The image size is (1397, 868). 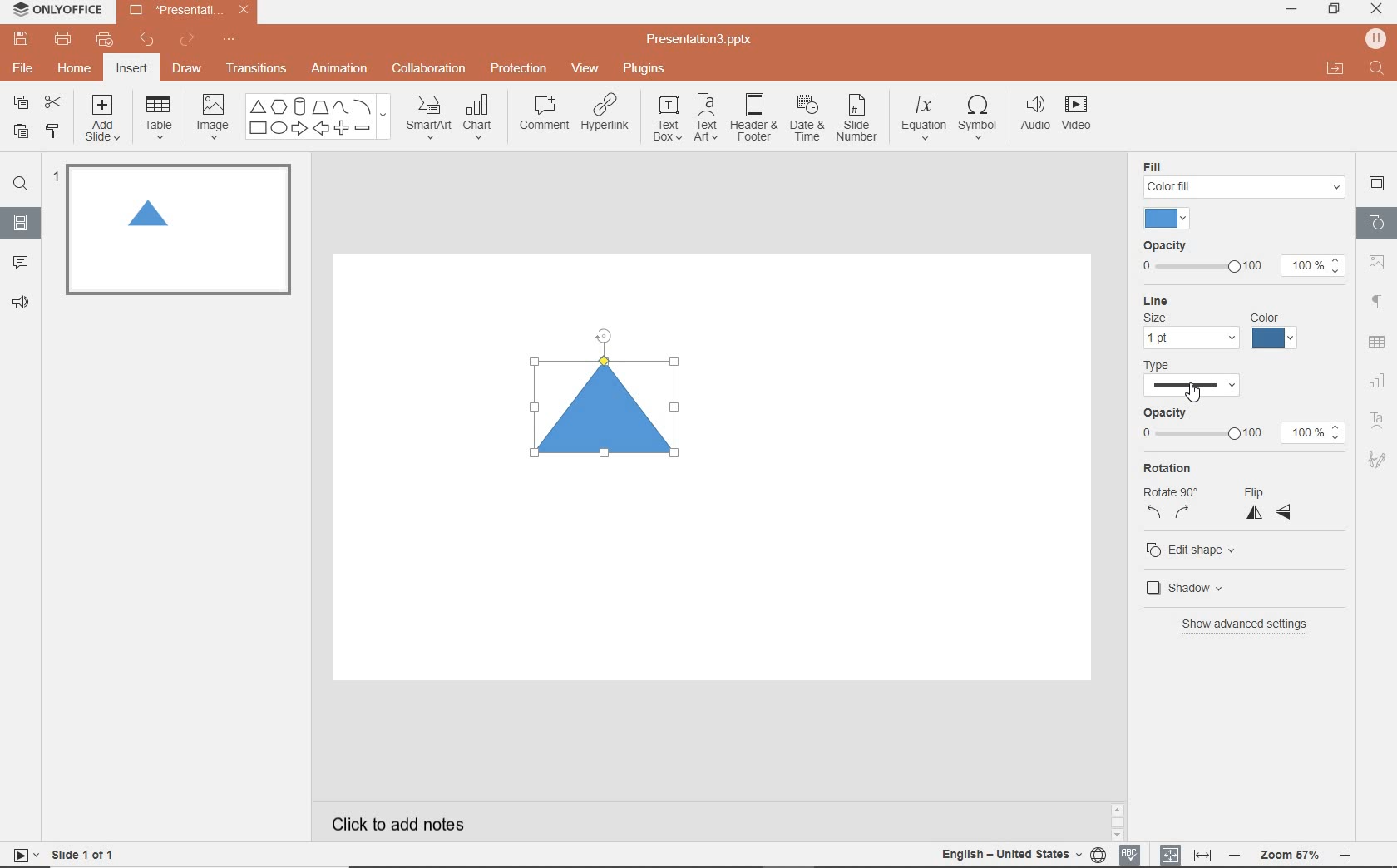 I want to click on FEEDBACK & SUPPORT, so click(x=23, y=302).